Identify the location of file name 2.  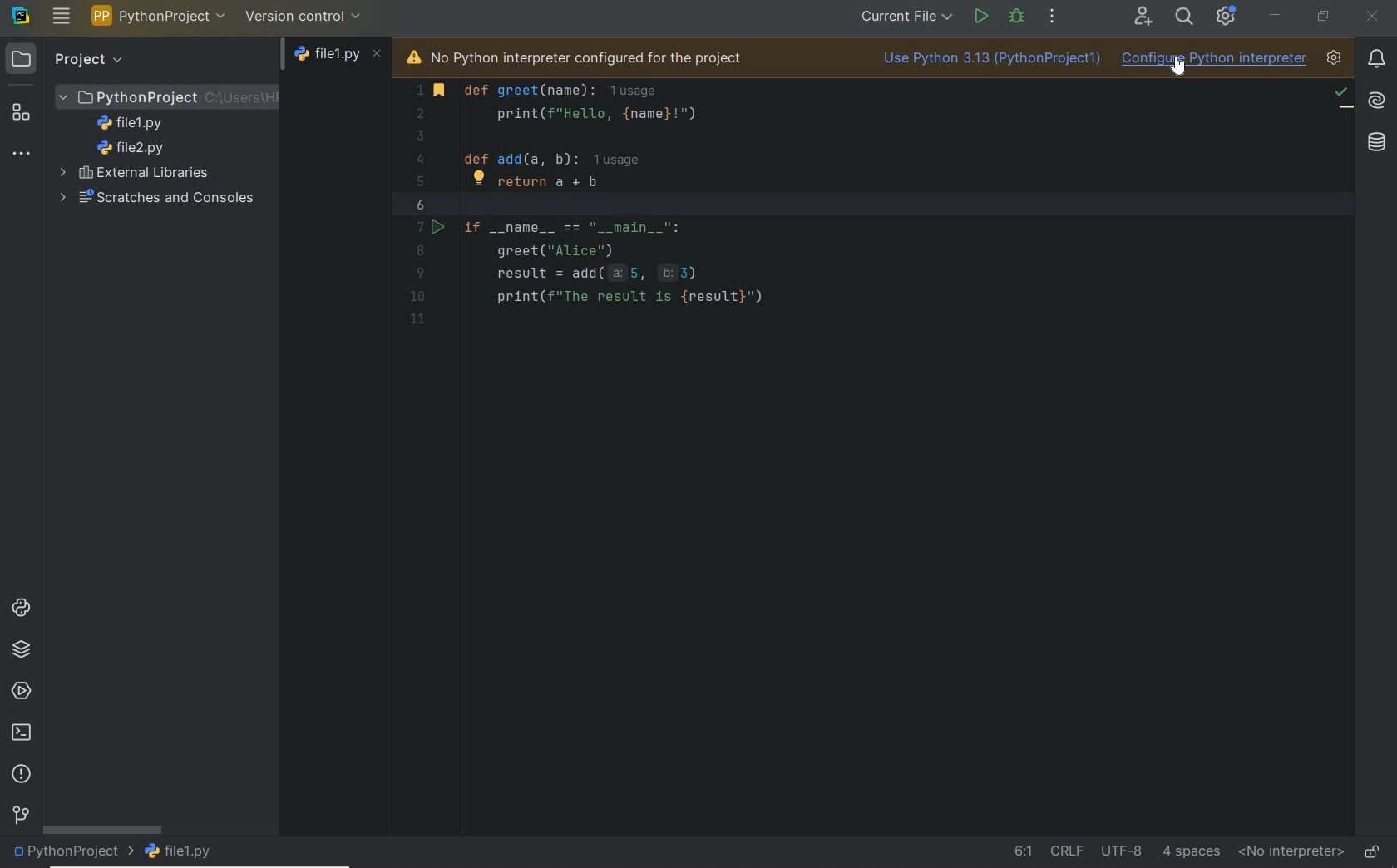
(131, 148).